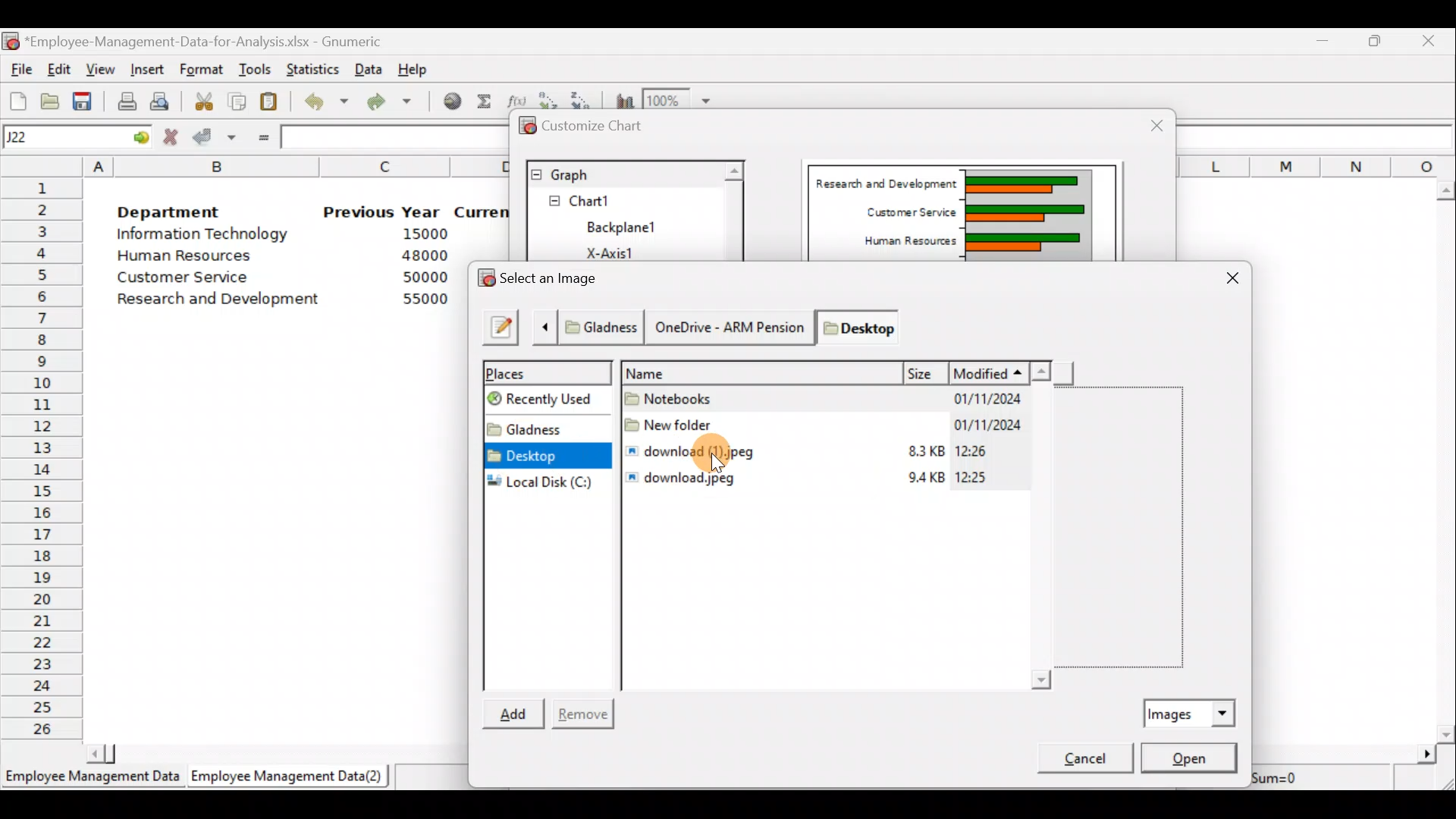 The width and height of the screenshot is (1456, 819). What do you see at coordinates (203, 237) in the screenshot?
I see `Information Technology` at bounding box center [203, 237].